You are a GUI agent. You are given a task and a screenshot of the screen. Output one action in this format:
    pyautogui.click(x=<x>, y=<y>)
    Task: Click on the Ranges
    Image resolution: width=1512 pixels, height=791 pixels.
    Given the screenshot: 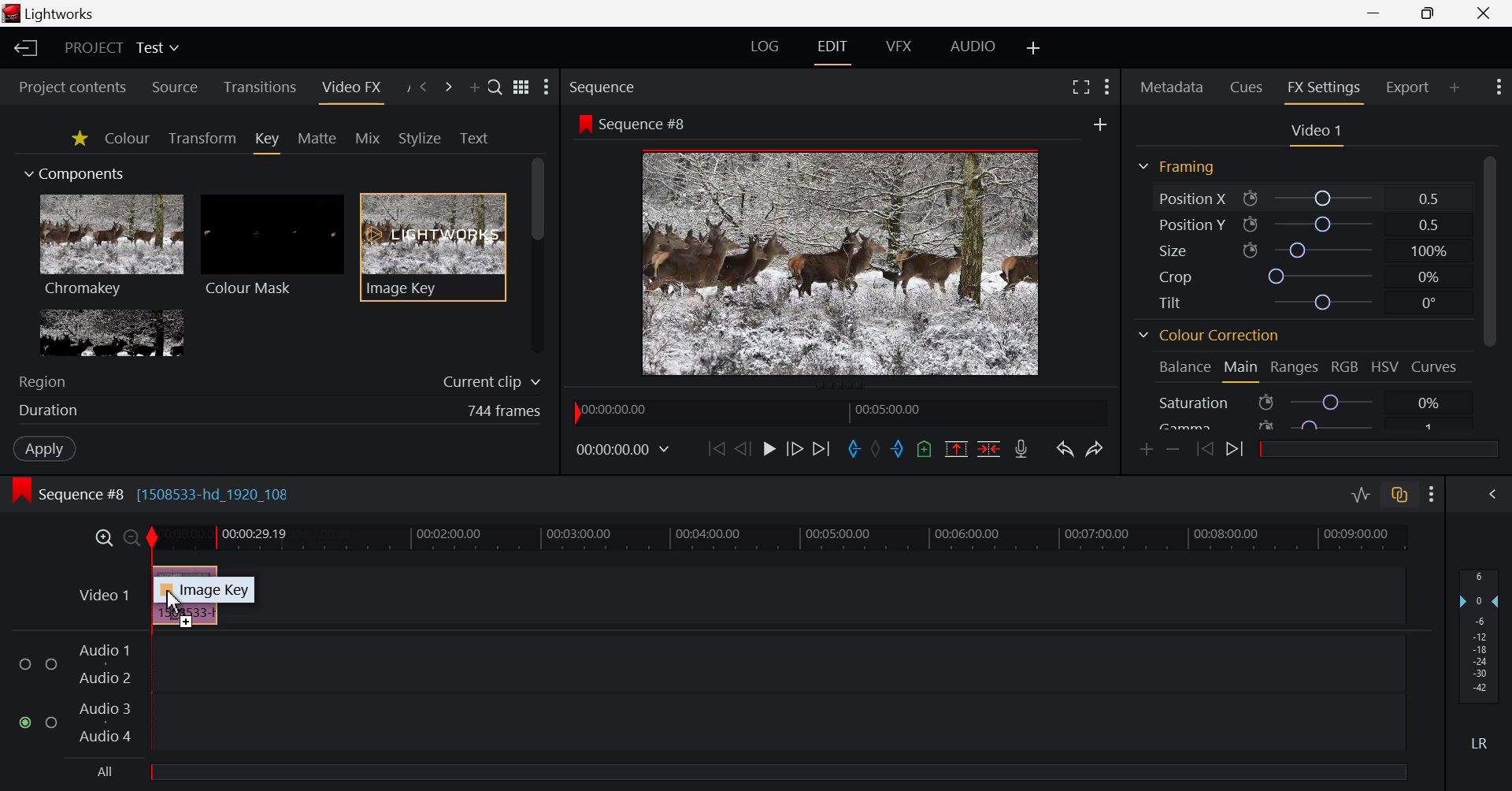 What is the action you would take?
    pyautogui.click(x=1294, y=366)
    